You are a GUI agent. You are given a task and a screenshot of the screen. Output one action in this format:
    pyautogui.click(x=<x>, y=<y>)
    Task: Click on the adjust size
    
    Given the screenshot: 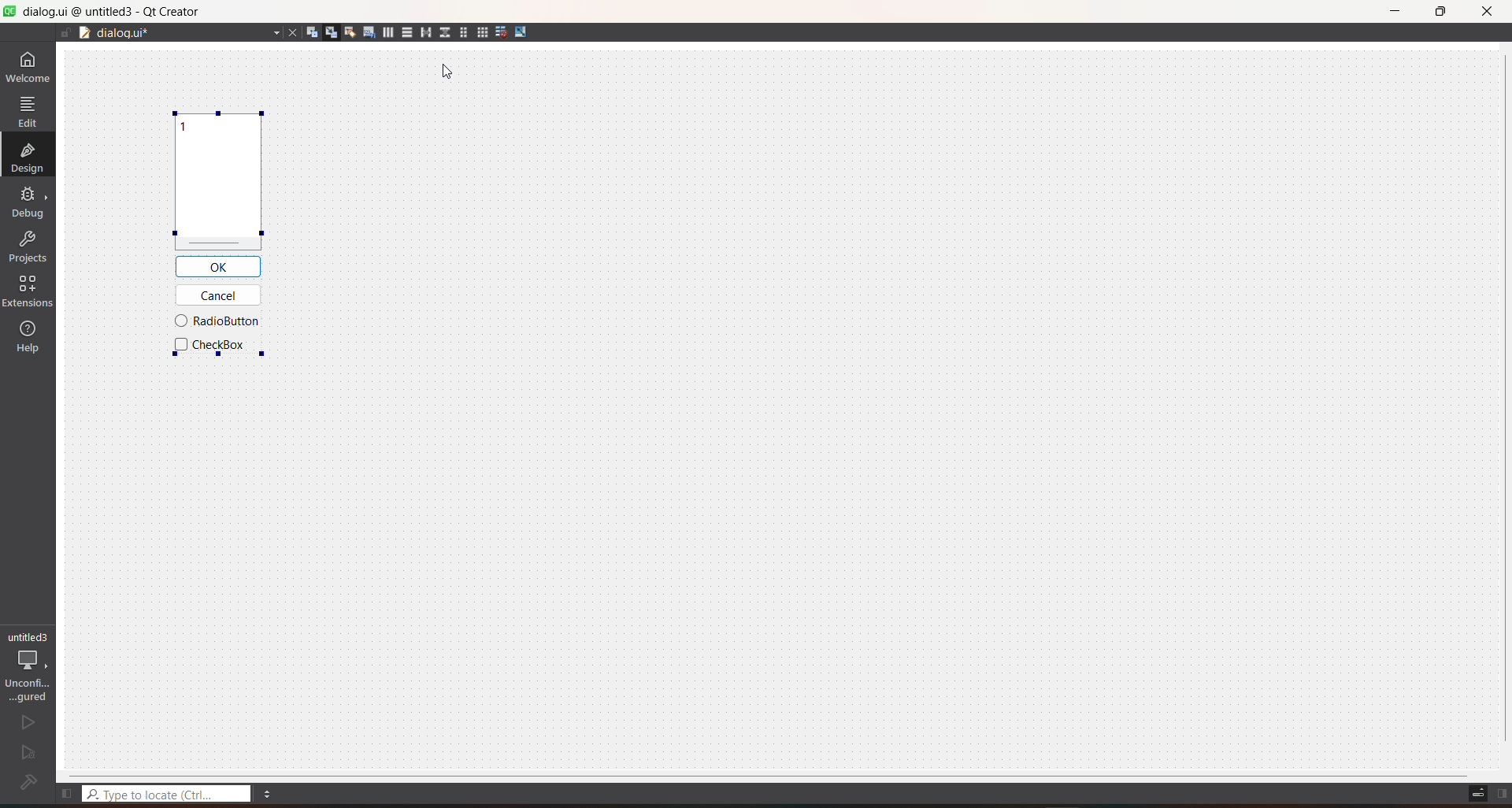 What is the action you would take?
    pyautogui.click(x=524, y=31)
    